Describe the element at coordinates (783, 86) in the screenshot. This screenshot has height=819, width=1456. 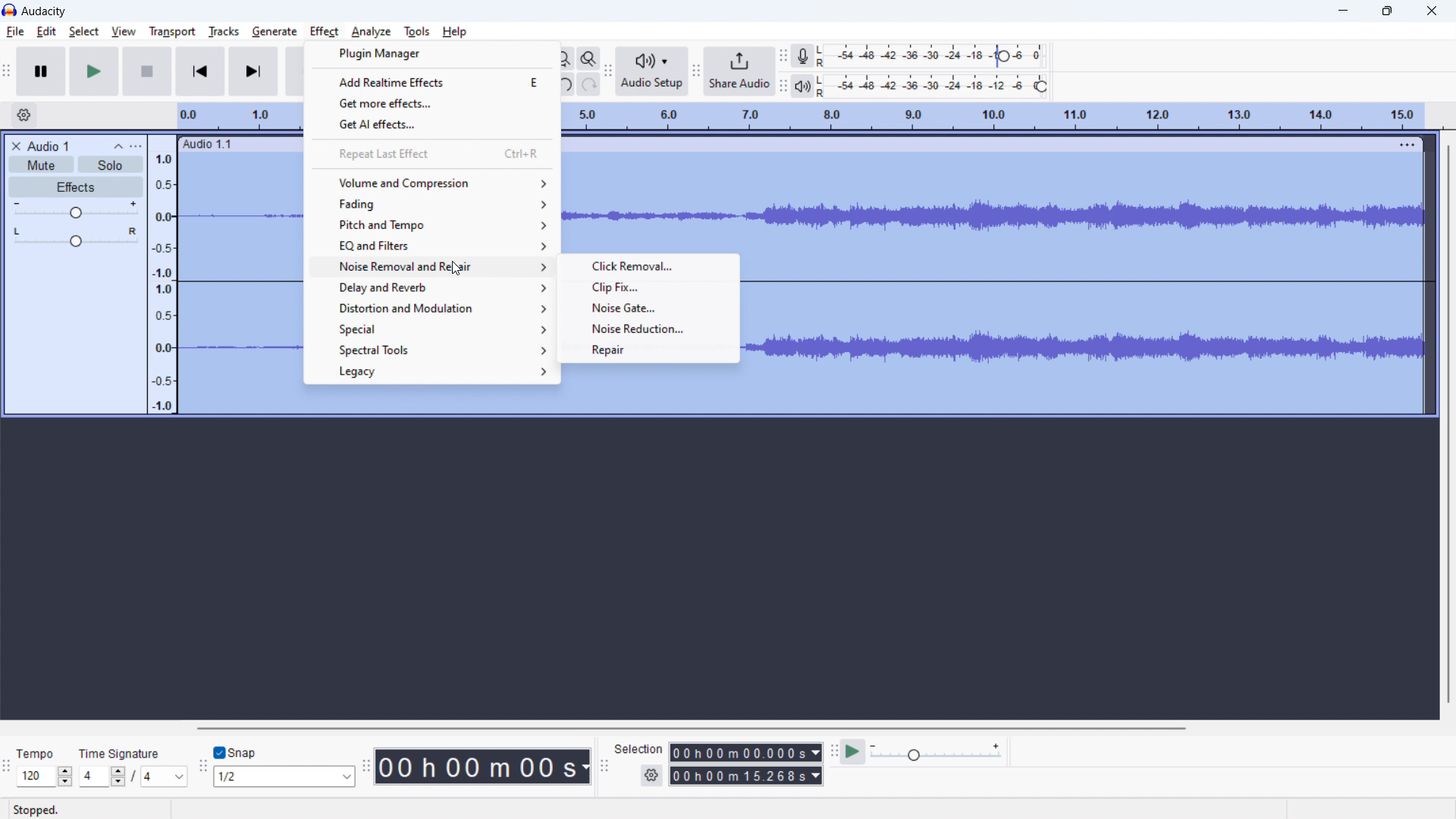
I see `playback meter toolbar` at that location.